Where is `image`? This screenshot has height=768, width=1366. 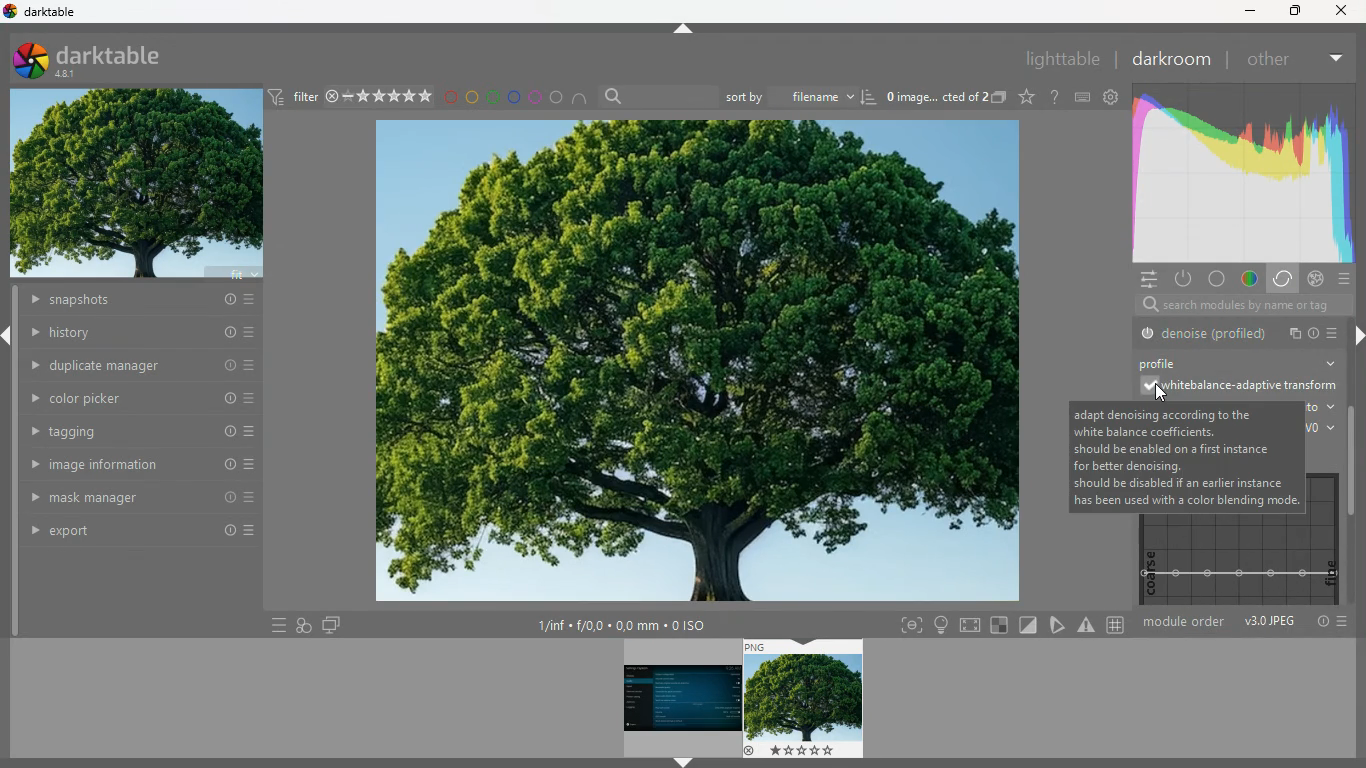 image is located at coordinates (933, 95).